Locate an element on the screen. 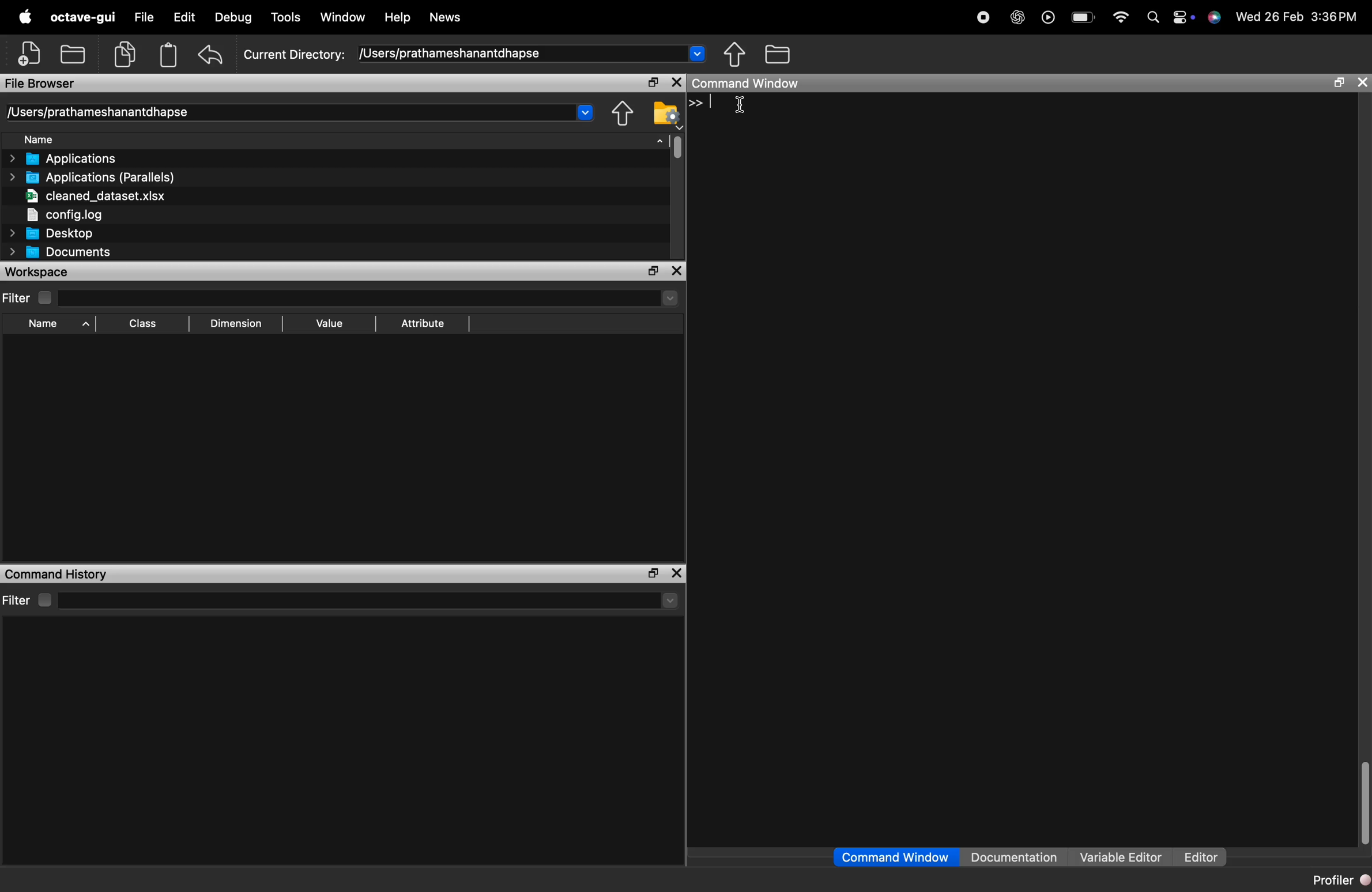 The width and height of the screenshot is (1372, 892). Attribute is located at coordinates (422, 326).